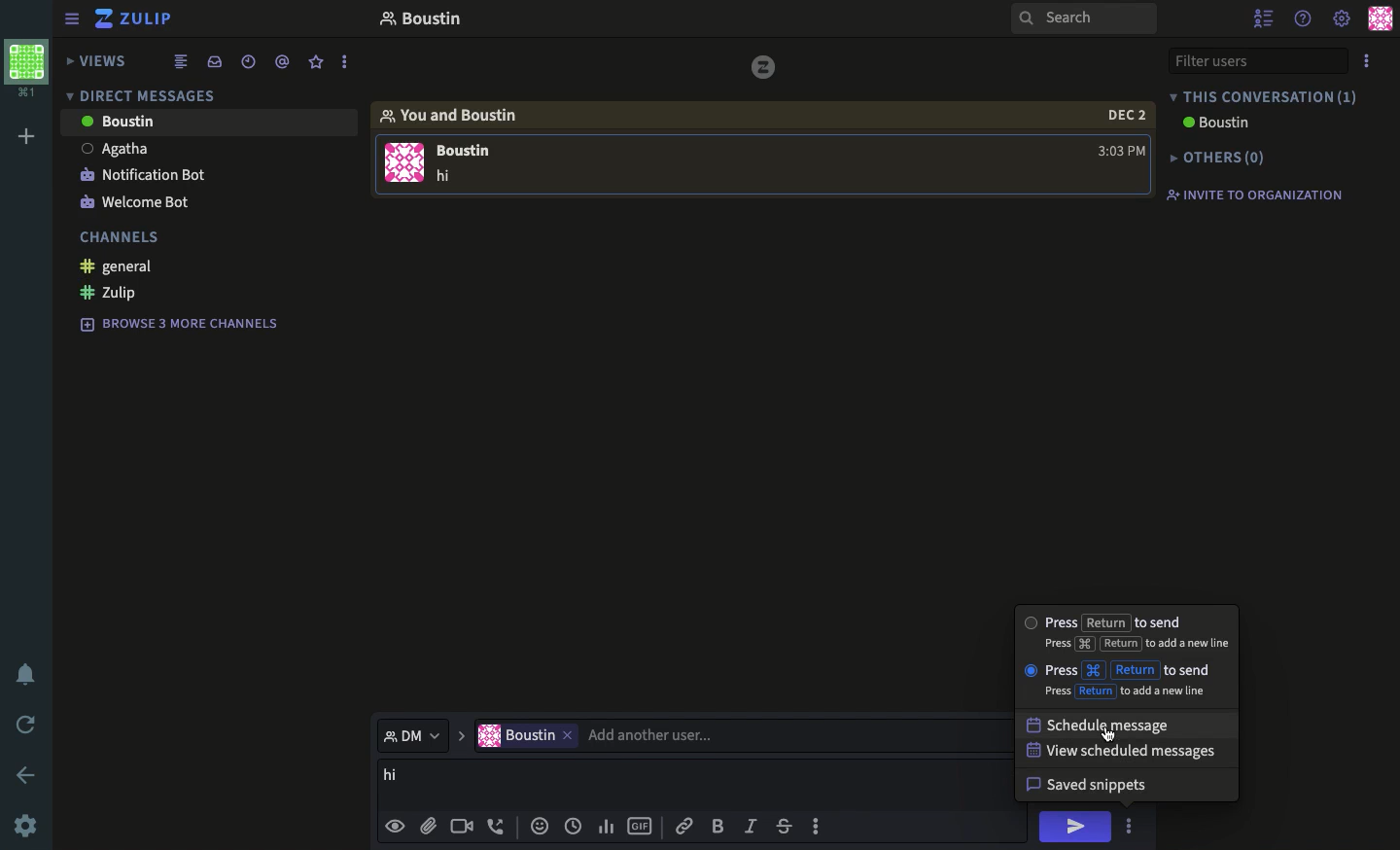 The width and height of the screenshot is (1400, 850). What do you see at coordinates (793, 737) in the screenshot?
I see `add user` at bounding box center [793, 737].